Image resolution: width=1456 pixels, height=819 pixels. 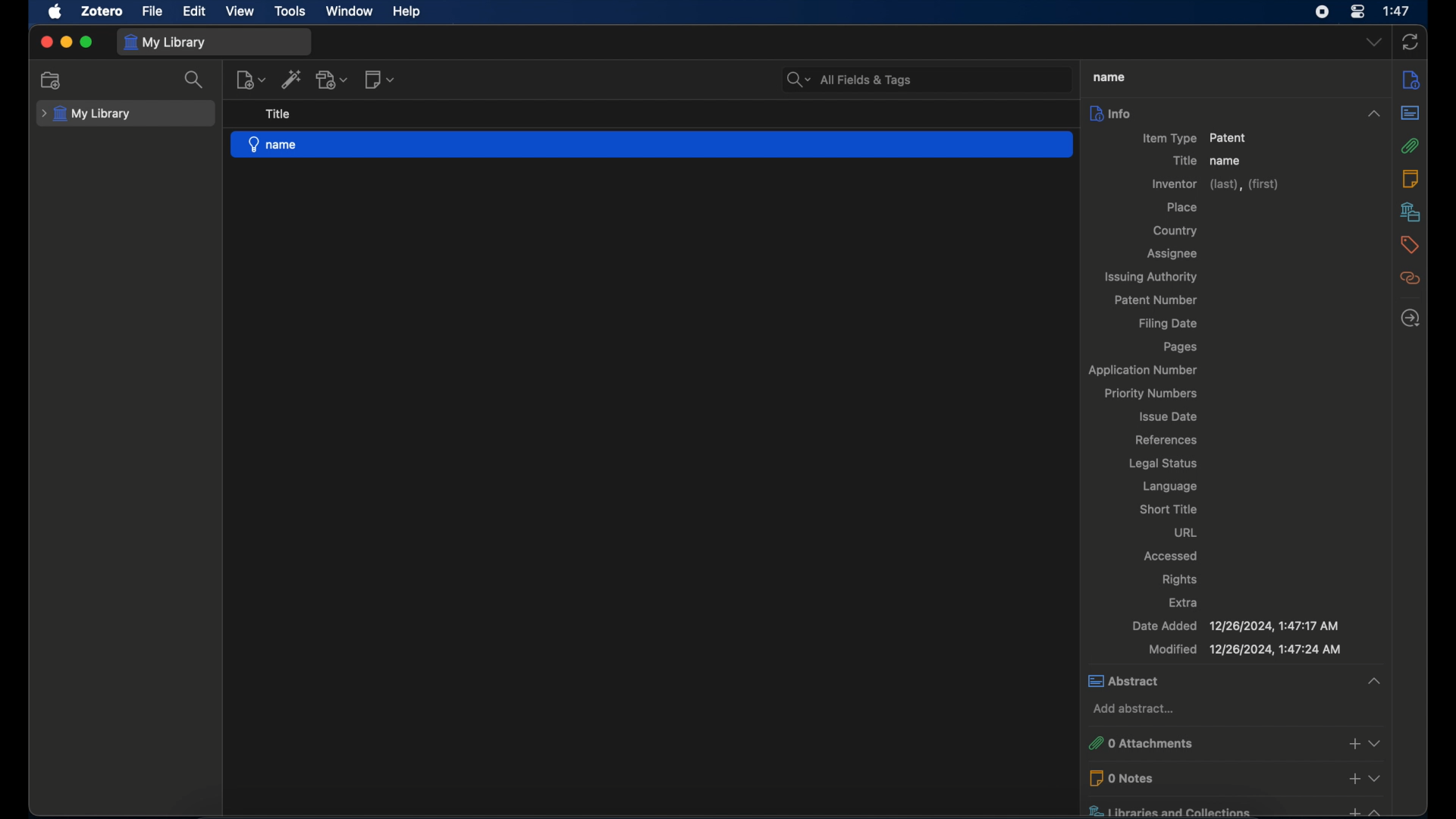 What do you see at coordinates (1227, 162) in the screenshot?
I see `name` at bounding box center [1227, 162].